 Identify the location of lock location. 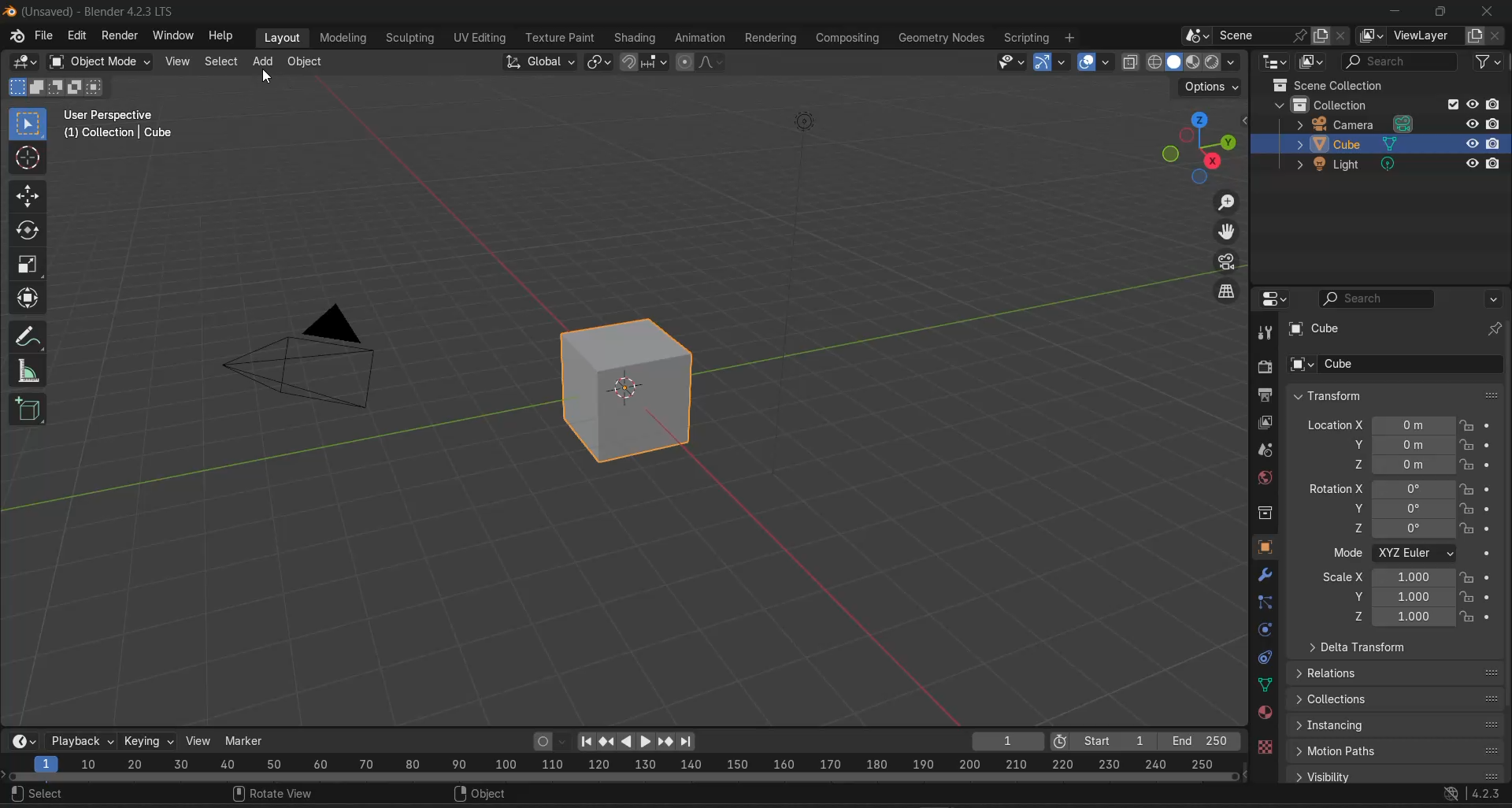
(1467, 445).